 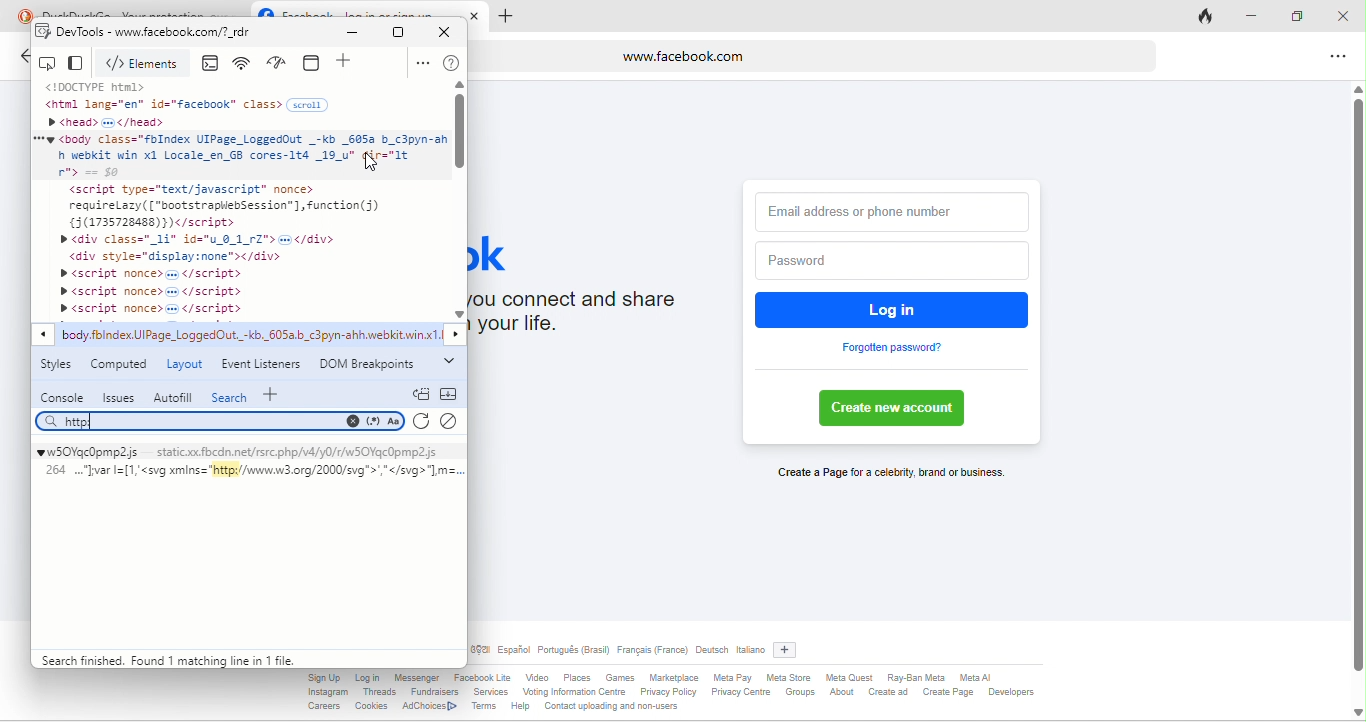 I want to click on change view, so click(x=79, y=64).